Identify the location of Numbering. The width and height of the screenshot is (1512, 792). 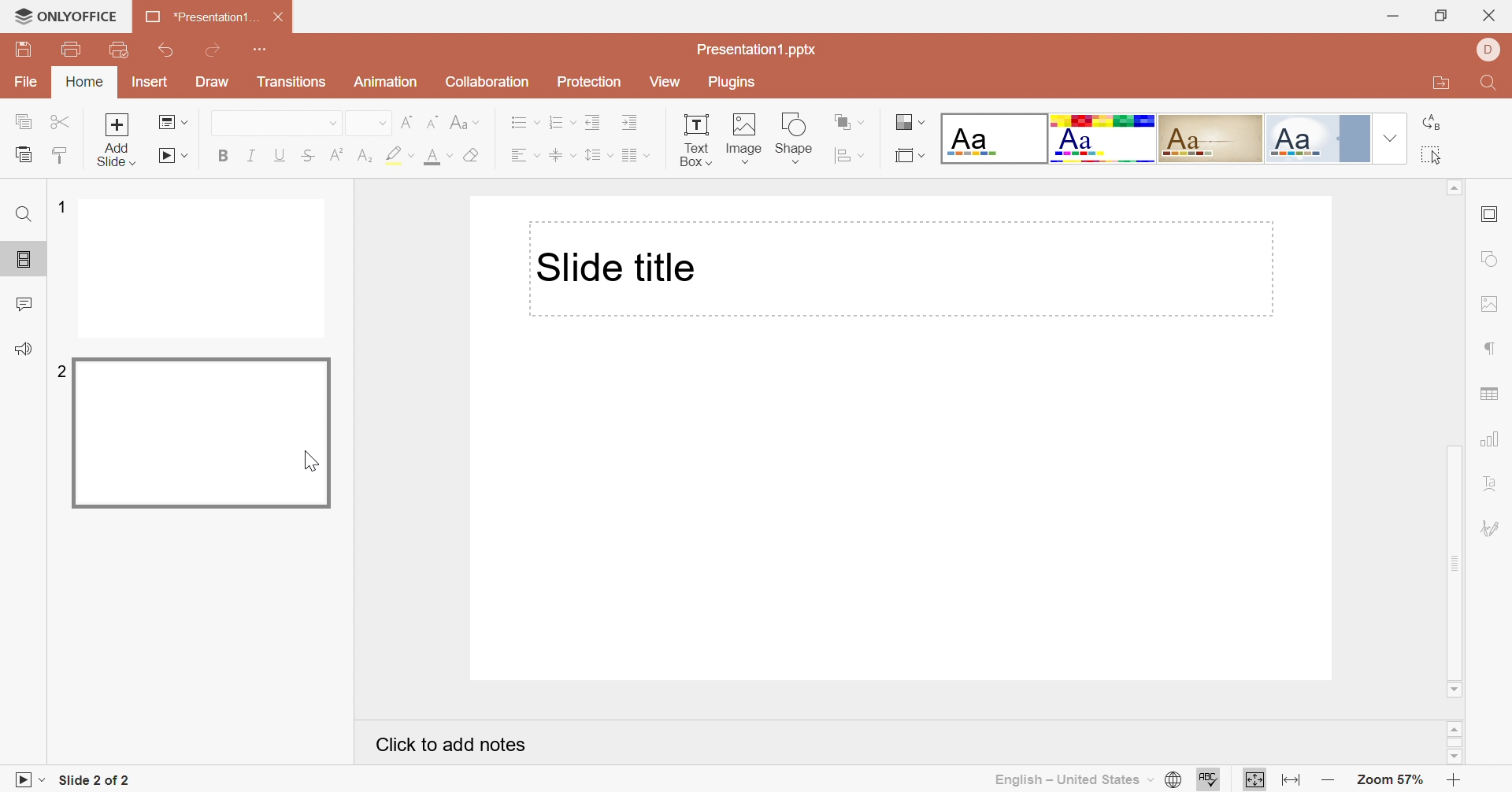
(565, 121).